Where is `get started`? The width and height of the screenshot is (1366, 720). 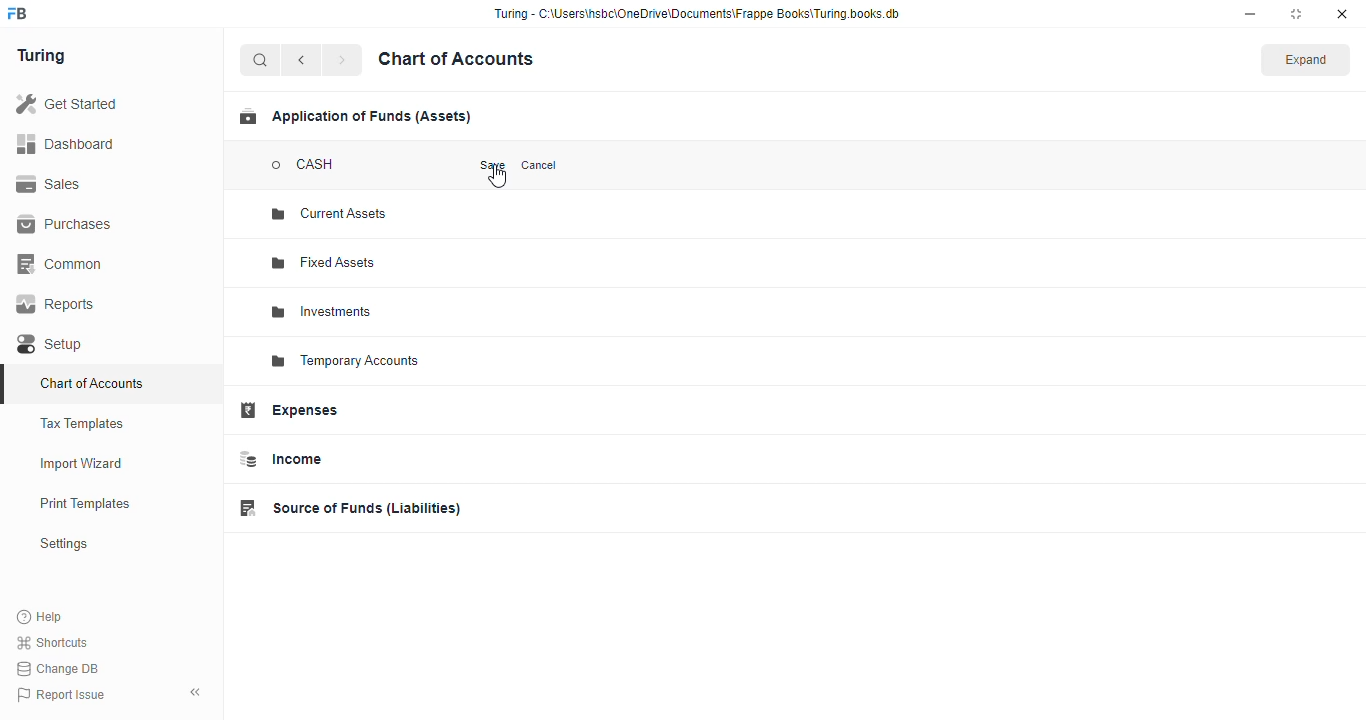 get started is located at coordinates (66, 103).